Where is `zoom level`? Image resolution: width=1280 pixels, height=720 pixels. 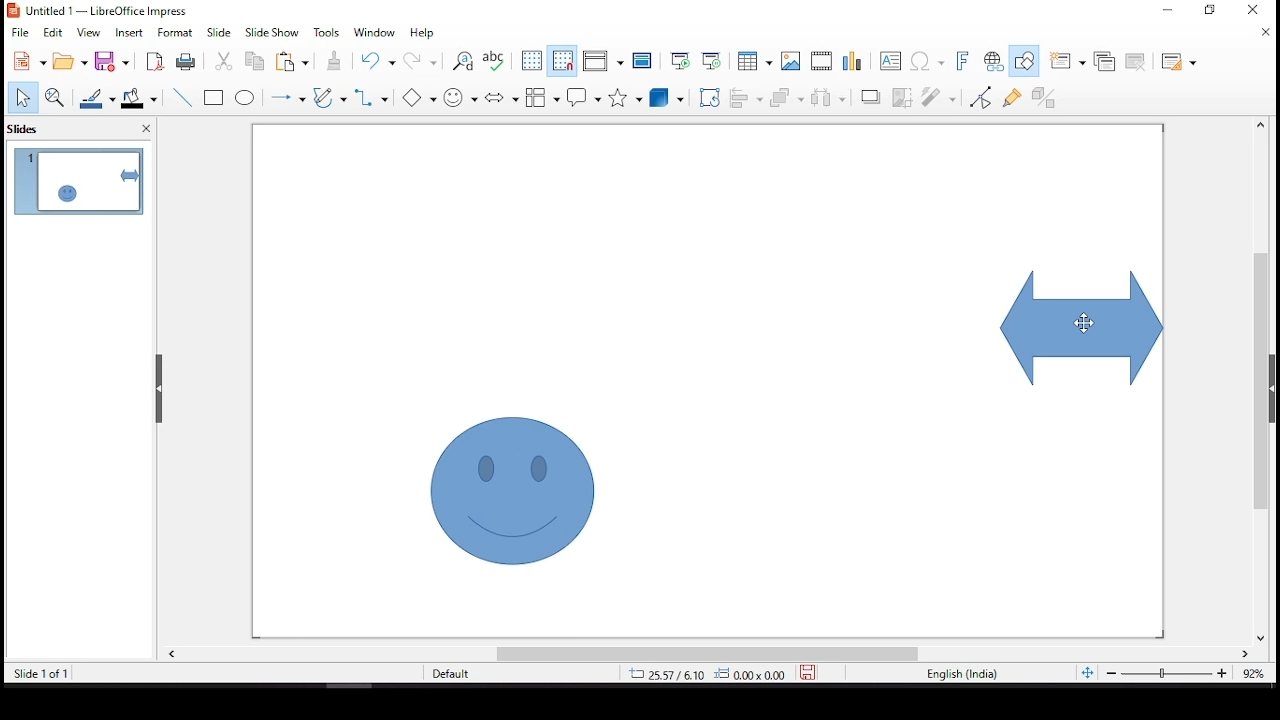 zoom level is located at coordinates (1255, 678).